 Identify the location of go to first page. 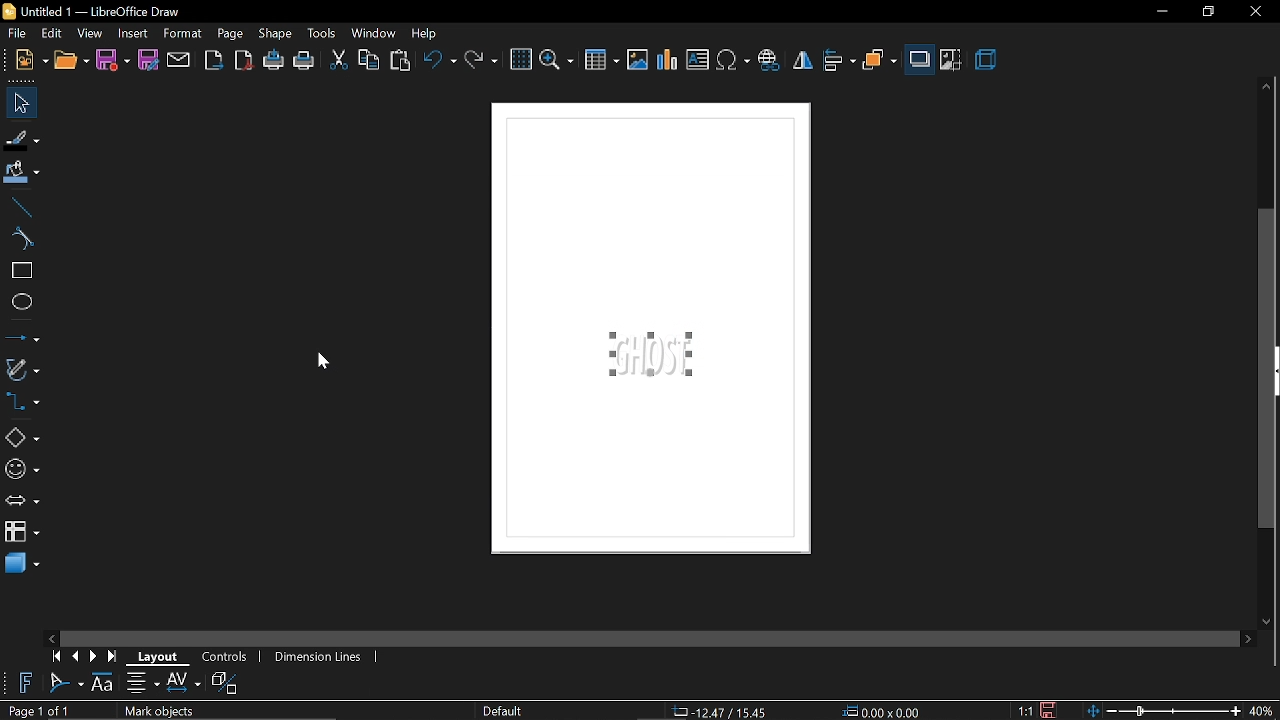
(55, 657).